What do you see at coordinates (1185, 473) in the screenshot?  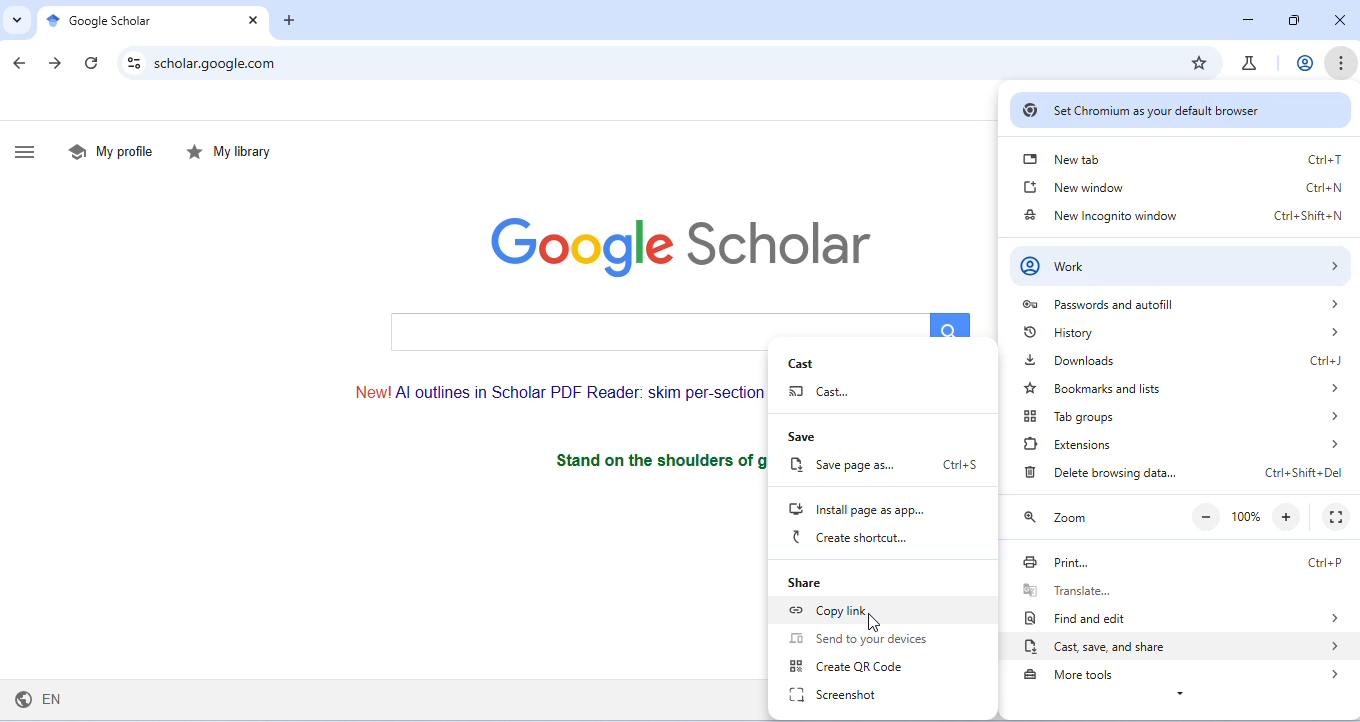 I see `delete browsing data` at bounding box center [1185, 473].